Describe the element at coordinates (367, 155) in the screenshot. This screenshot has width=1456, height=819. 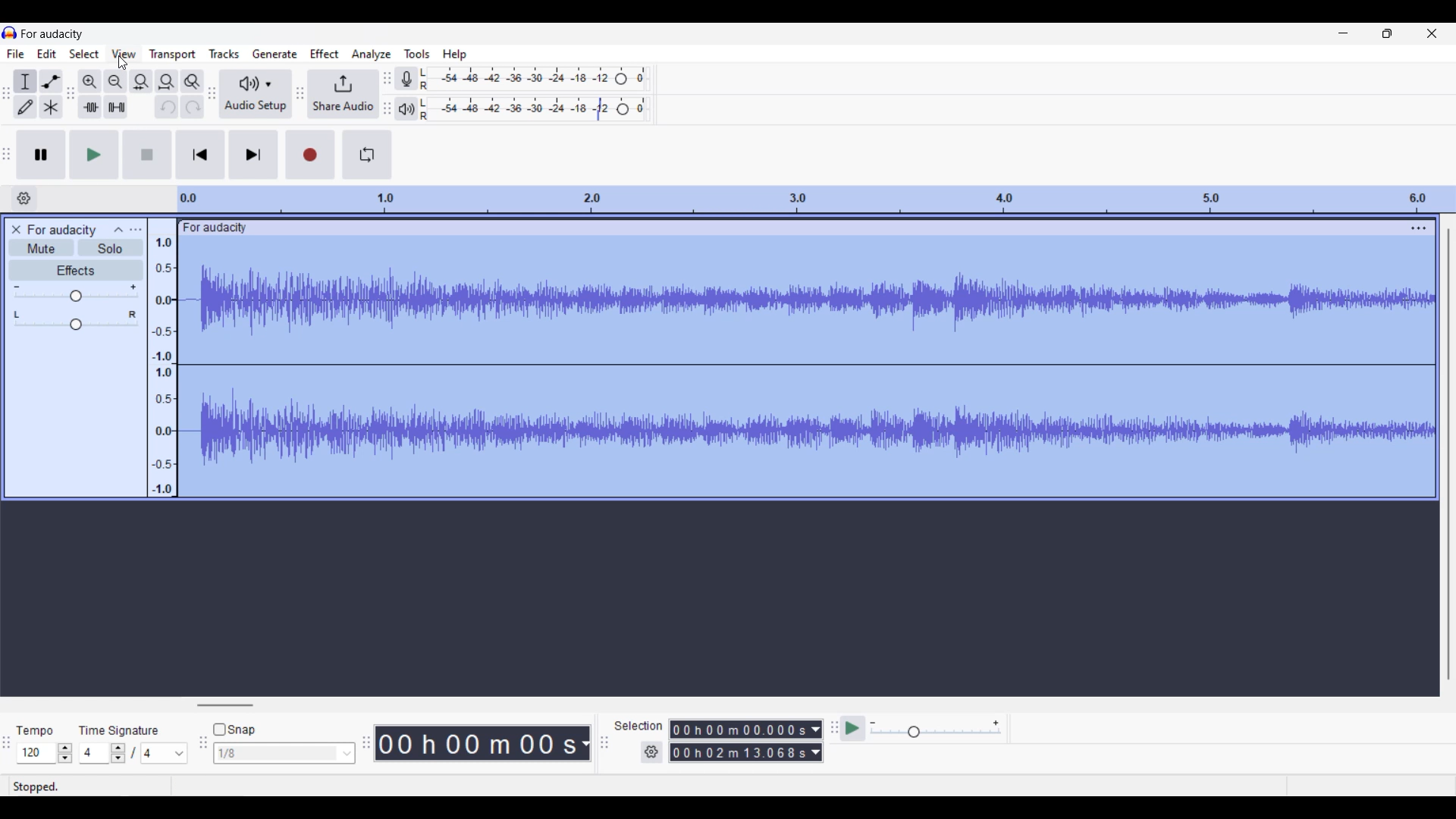
I see `Enable looping` at that location.